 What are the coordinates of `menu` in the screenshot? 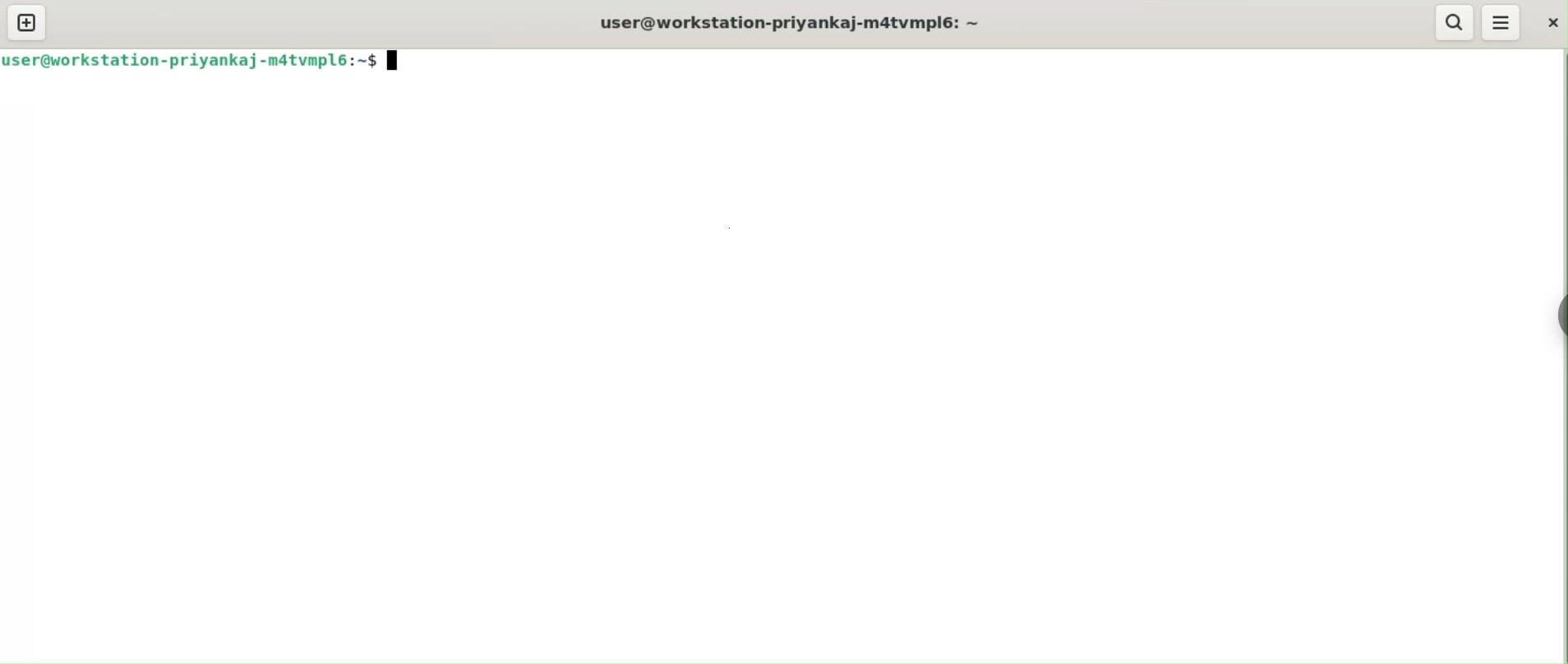 It's located at (1500, 23).